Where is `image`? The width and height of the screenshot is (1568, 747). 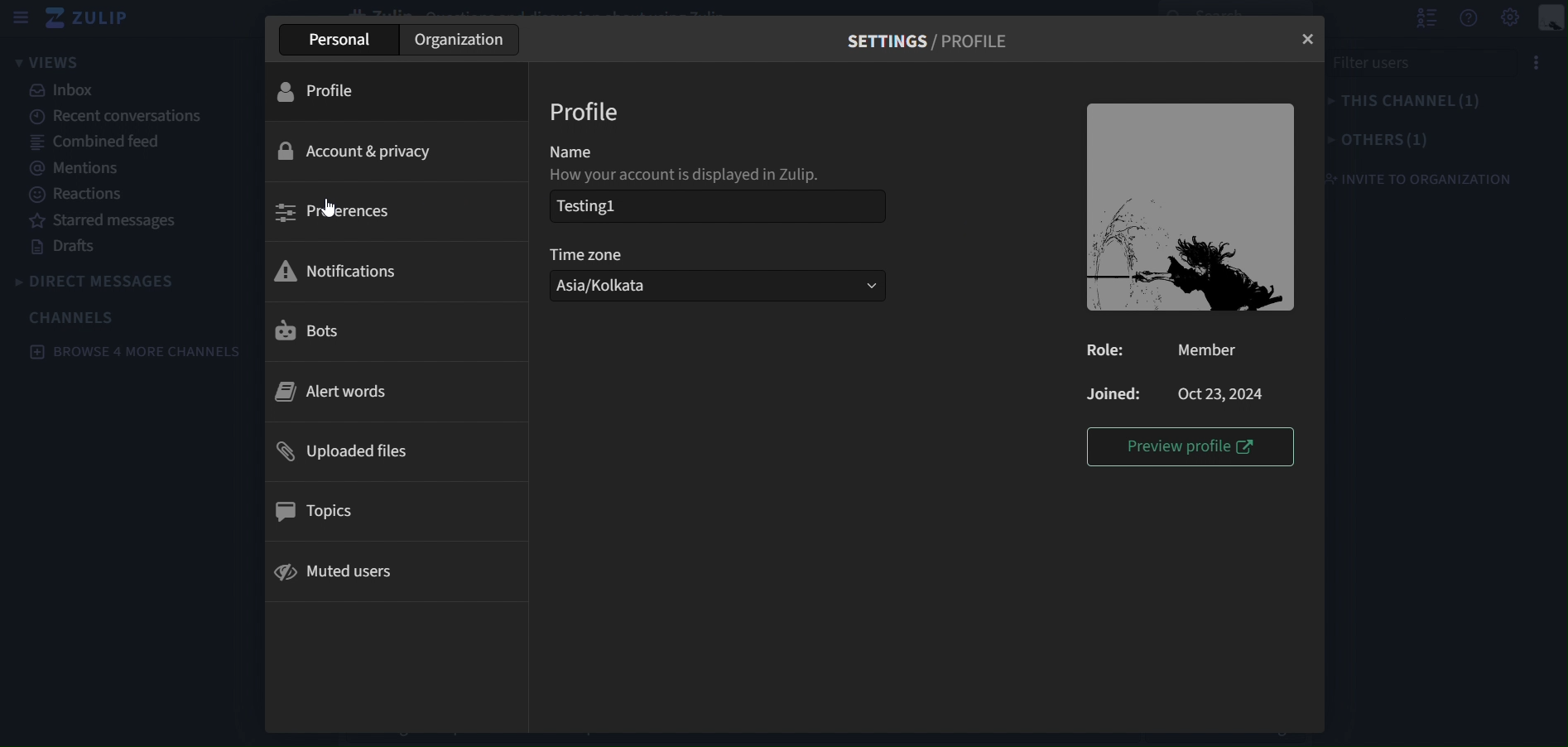
image is located at coordinates (1194, 209).